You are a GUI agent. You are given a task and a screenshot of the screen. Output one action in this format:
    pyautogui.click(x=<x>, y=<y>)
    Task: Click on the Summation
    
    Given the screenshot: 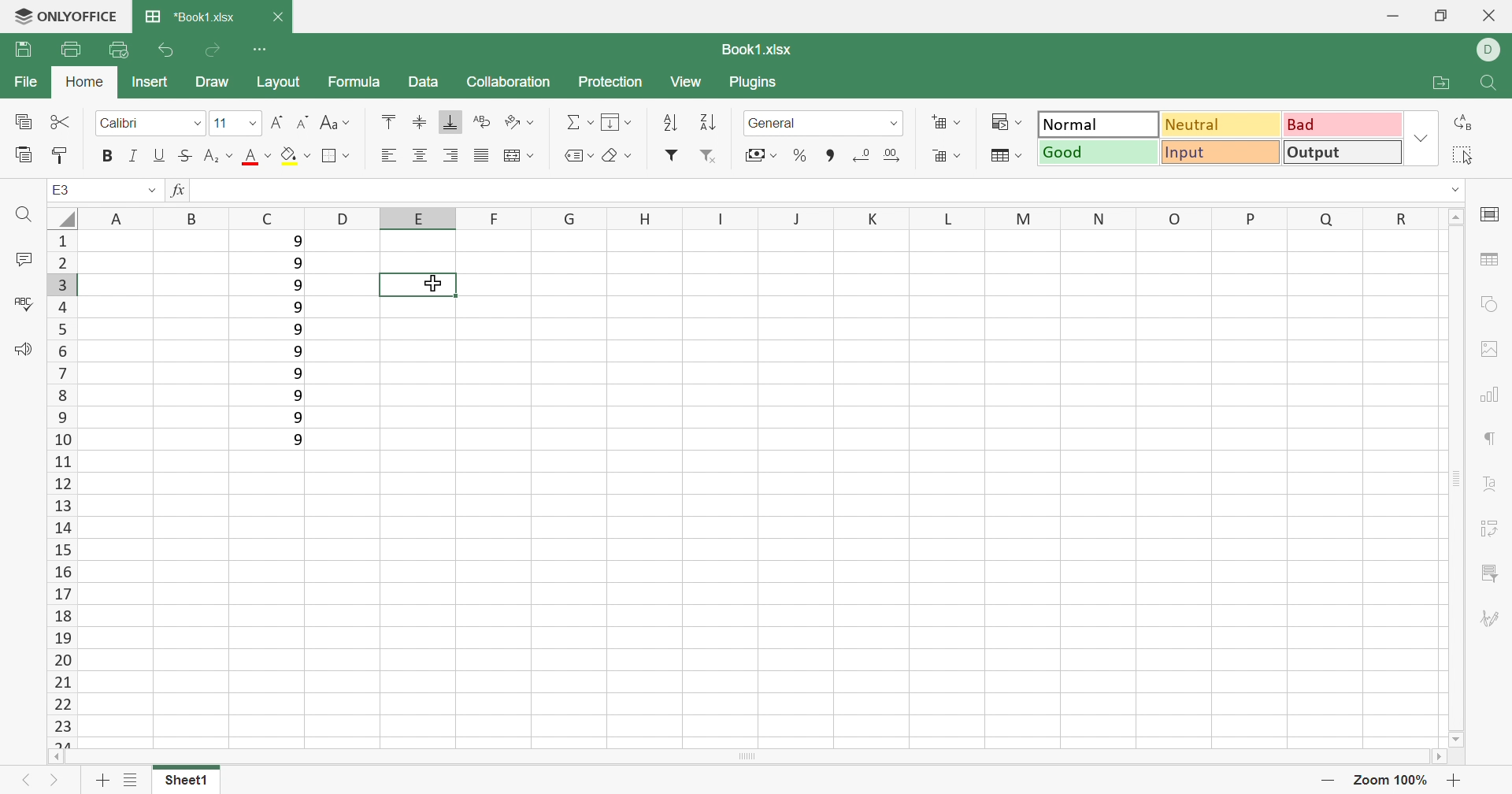 What is the action you would take?
    pyautogui.click(x=579, y=123)
    